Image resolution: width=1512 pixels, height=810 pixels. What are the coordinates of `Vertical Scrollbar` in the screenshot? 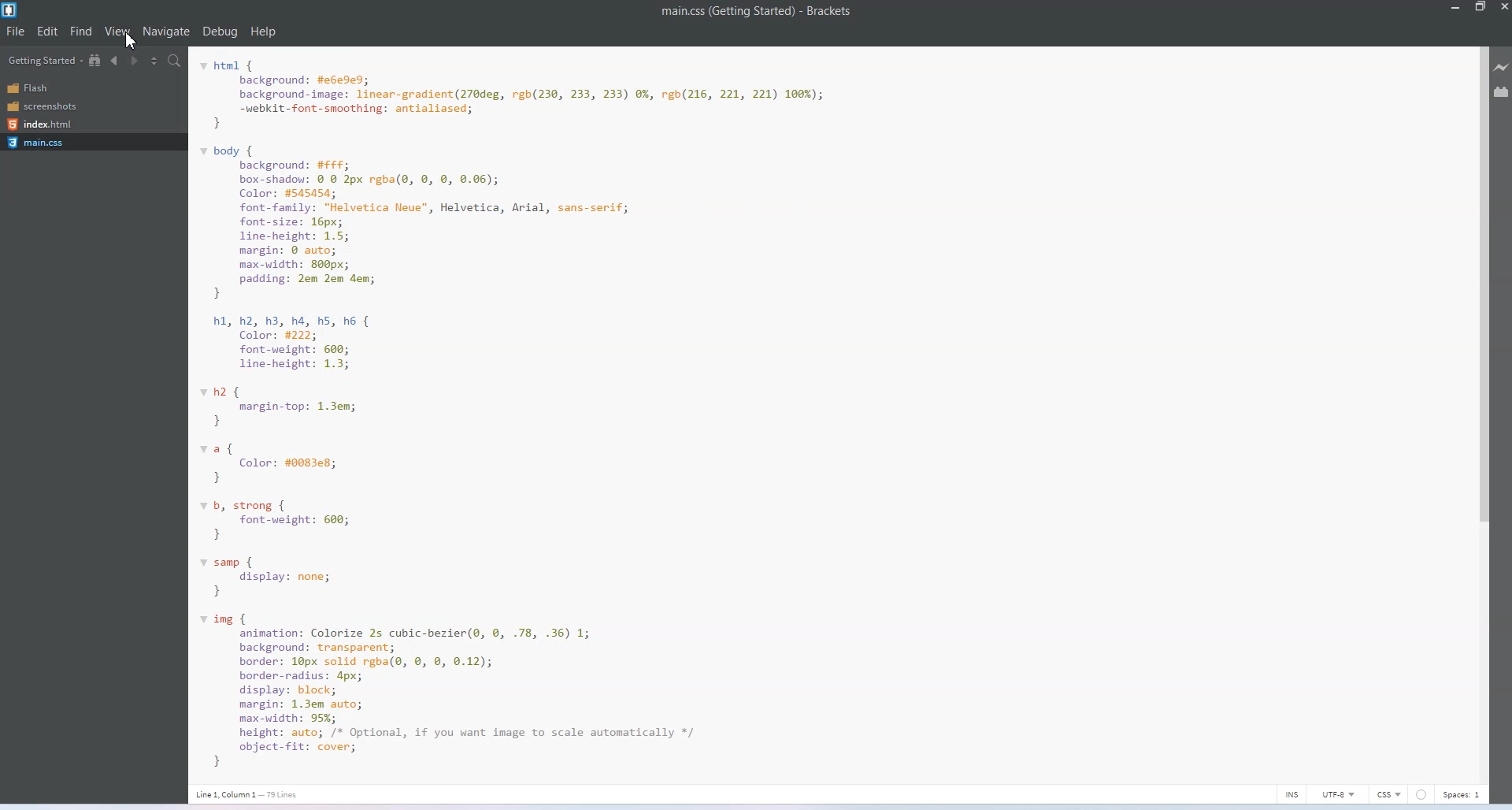 It's located at (1480, 414).